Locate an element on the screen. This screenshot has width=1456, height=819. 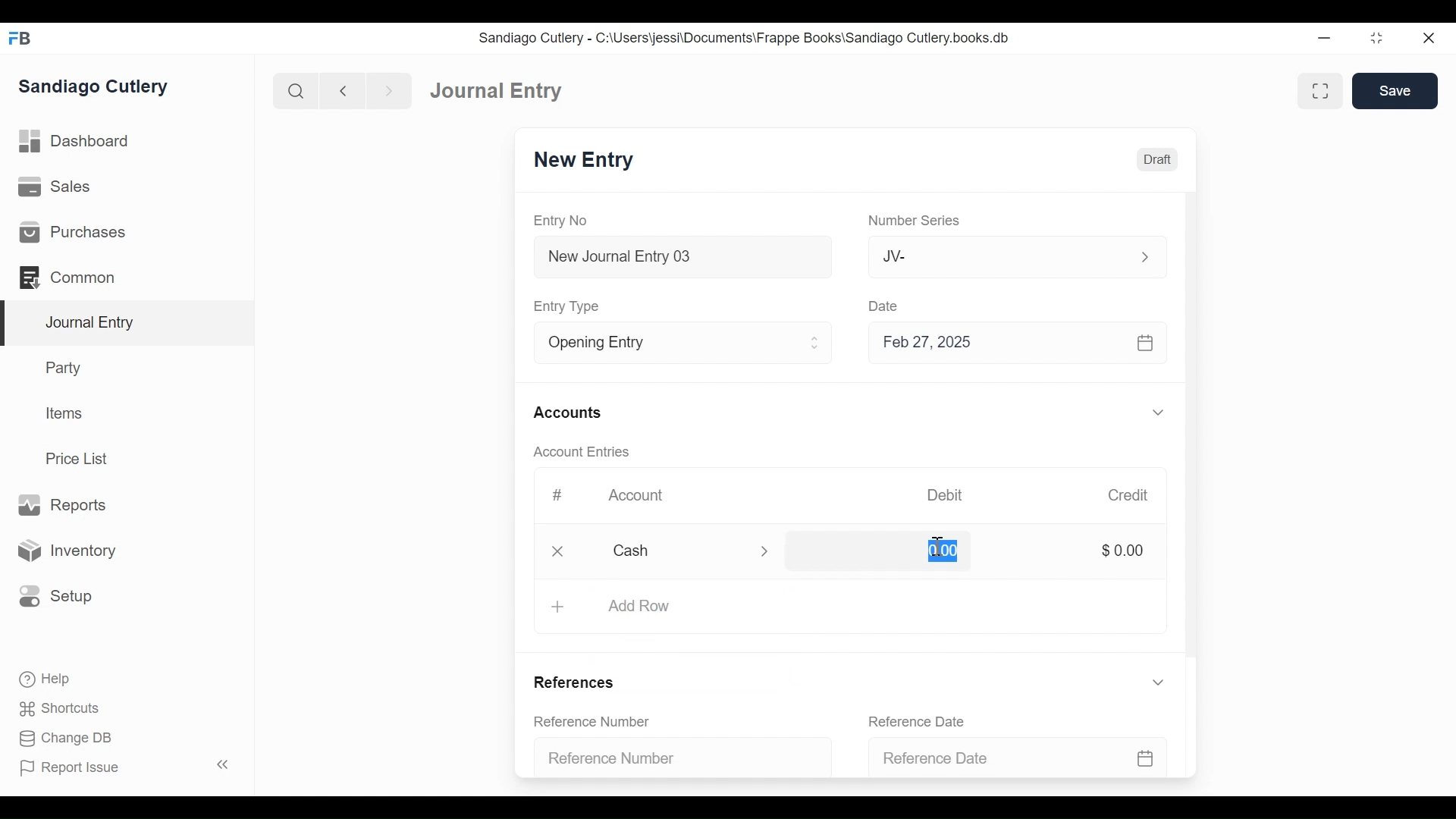
Change DB is located at coordinates (64, 739).